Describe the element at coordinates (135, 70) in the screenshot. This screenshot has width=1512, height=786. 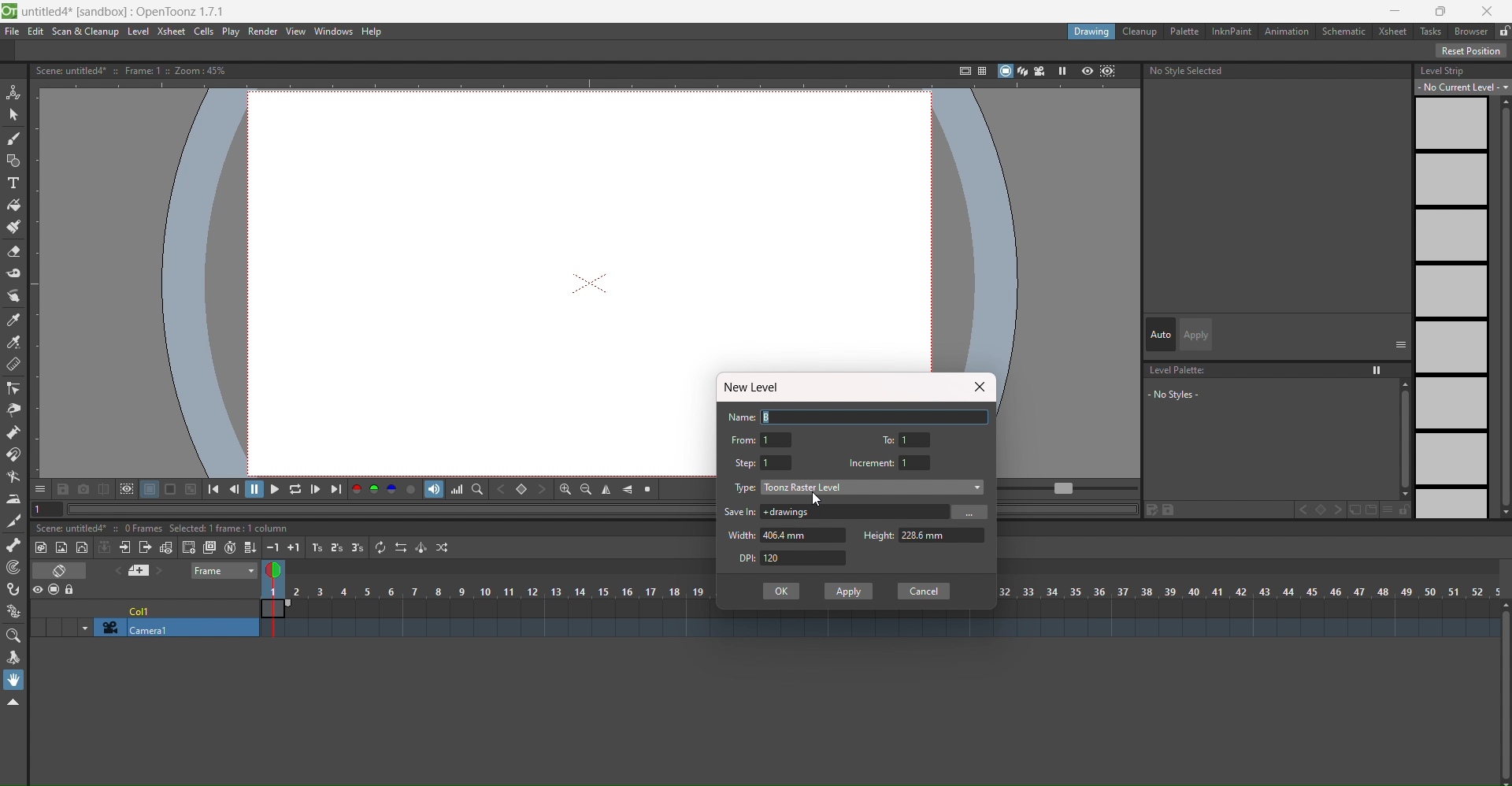
I see `text` at that location.